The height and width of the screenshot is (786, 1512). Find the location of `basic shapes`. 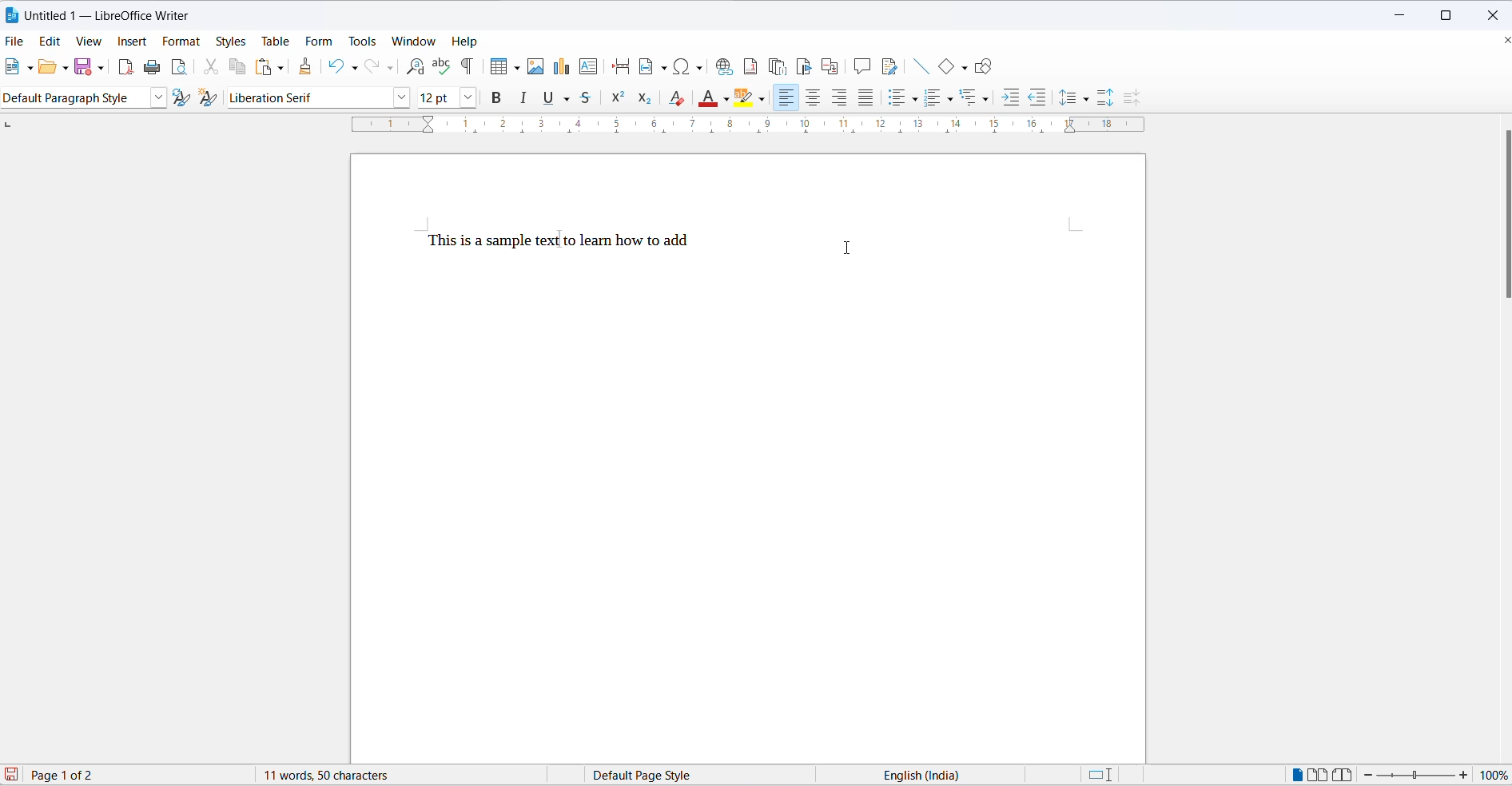

basic shapes is located at coordinates (944, 67).